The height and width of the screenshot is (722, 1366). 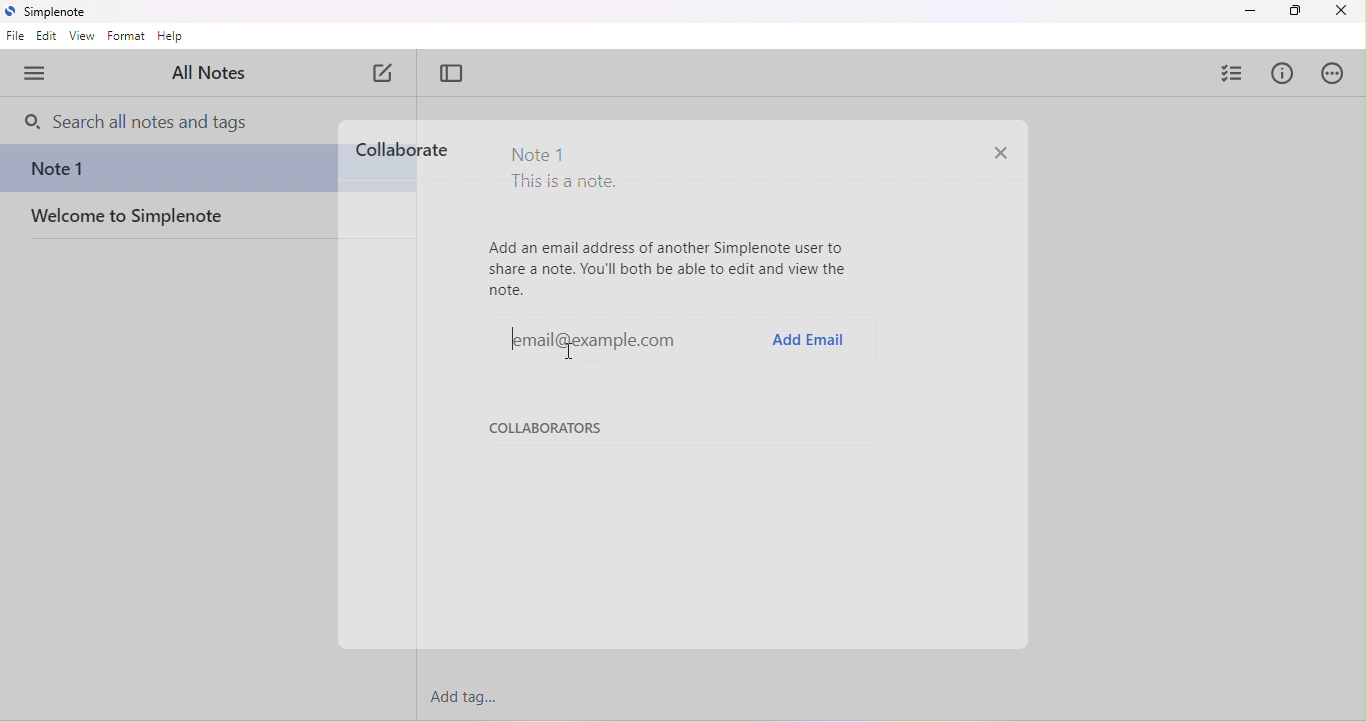 I want to click on Add an email address of another Simplenote user to share a note. You'll both be able to edit and view the note., so click(x=670, y=268).